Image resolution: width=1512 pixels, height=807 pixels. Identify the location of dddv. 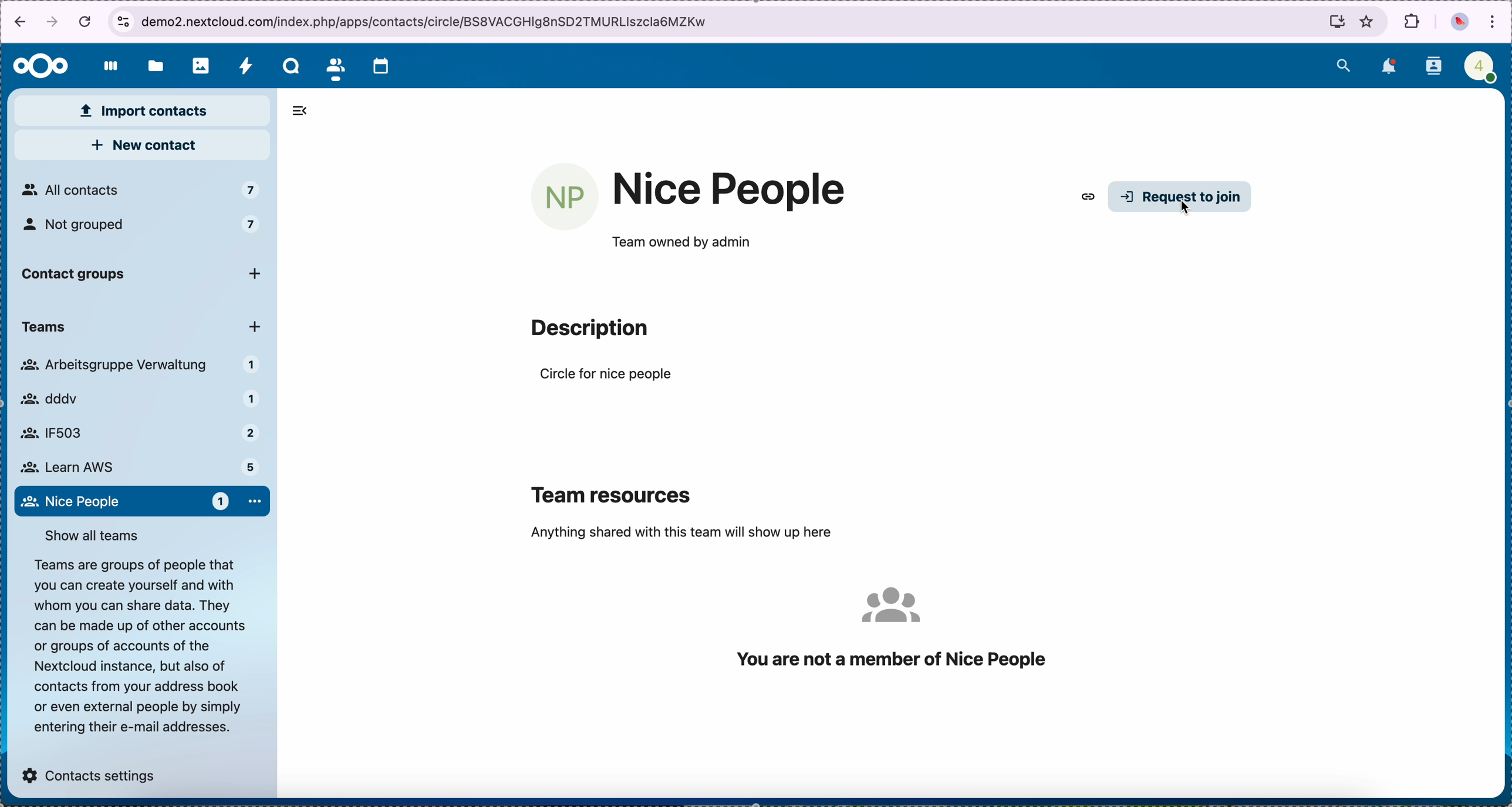
(135, 401).